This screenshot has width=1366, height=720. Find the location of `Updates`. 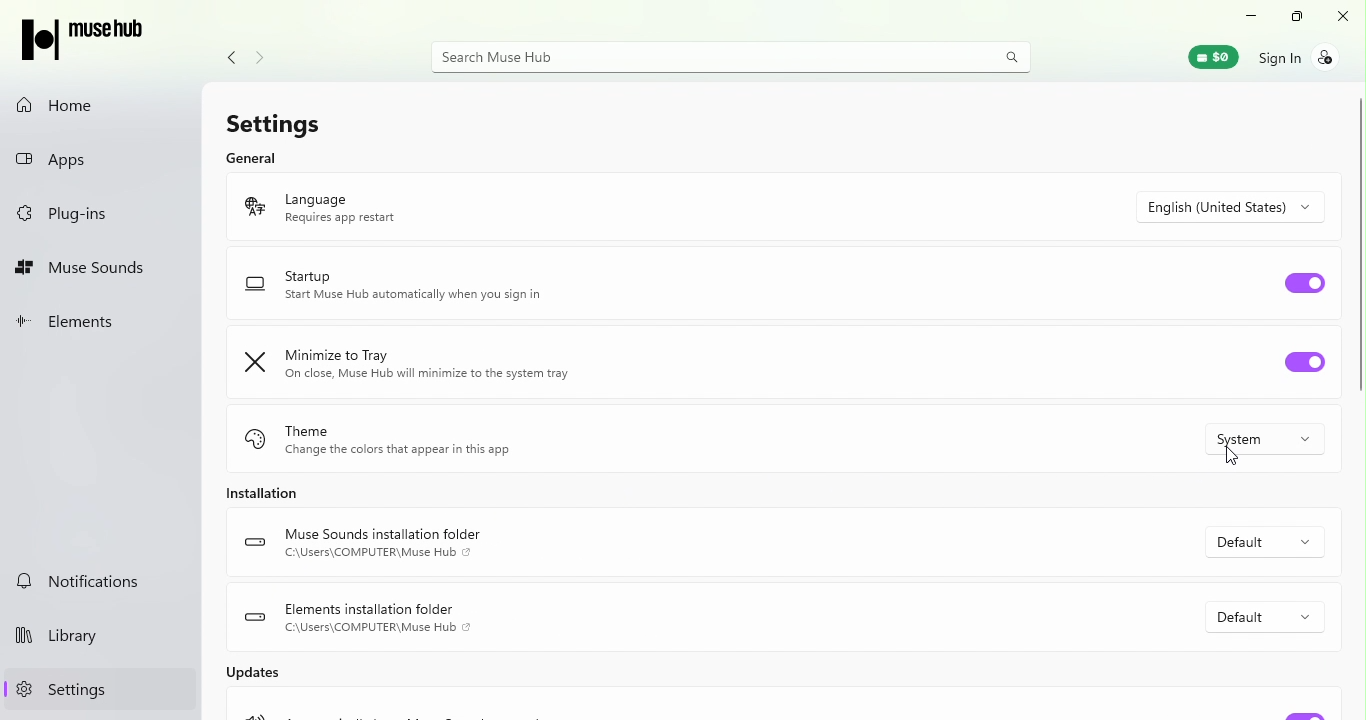

Updates is located at coordinates (263, 677).